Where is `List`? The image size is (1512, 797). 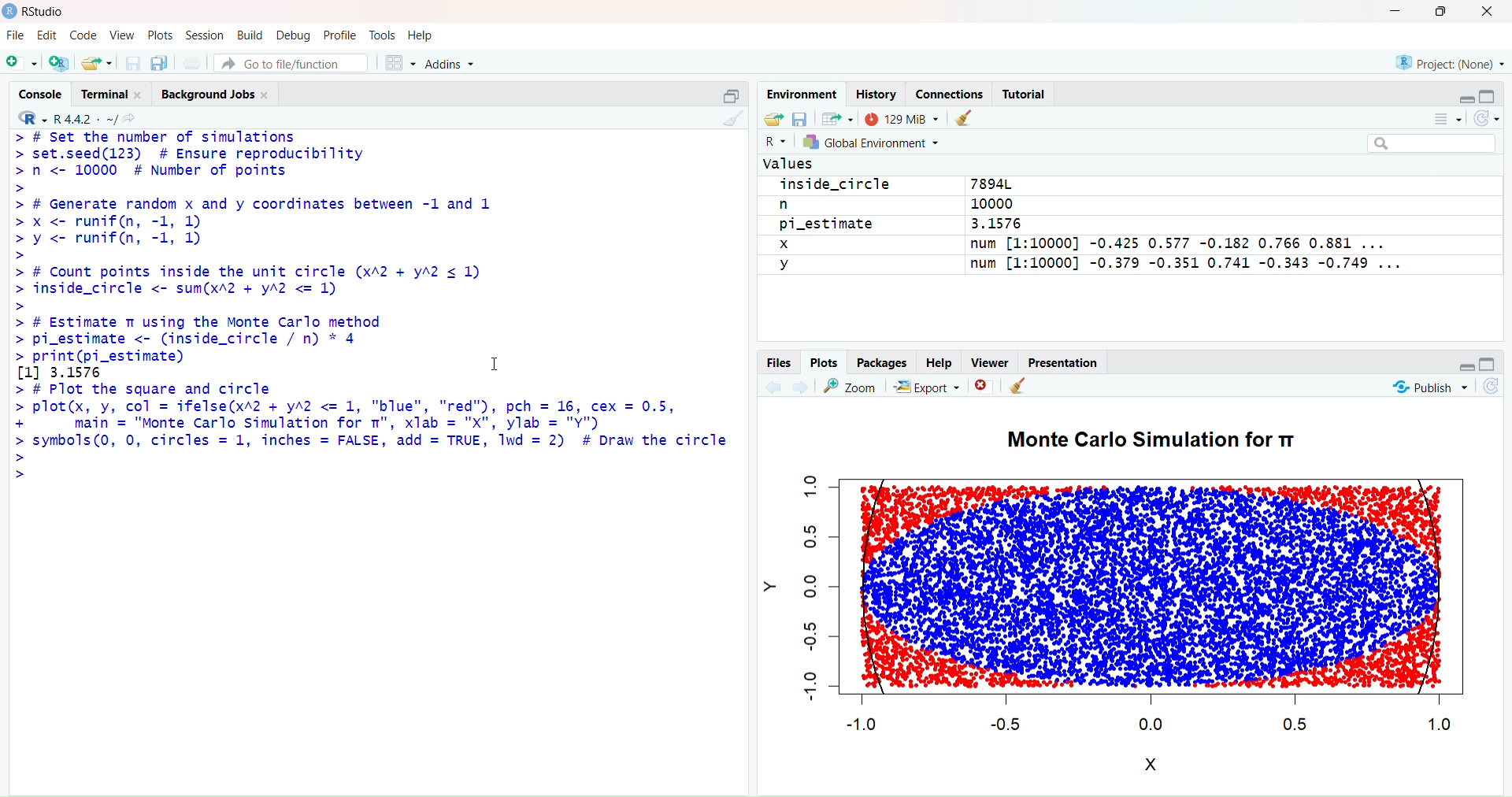
List is located at coordinates (1440, 123).